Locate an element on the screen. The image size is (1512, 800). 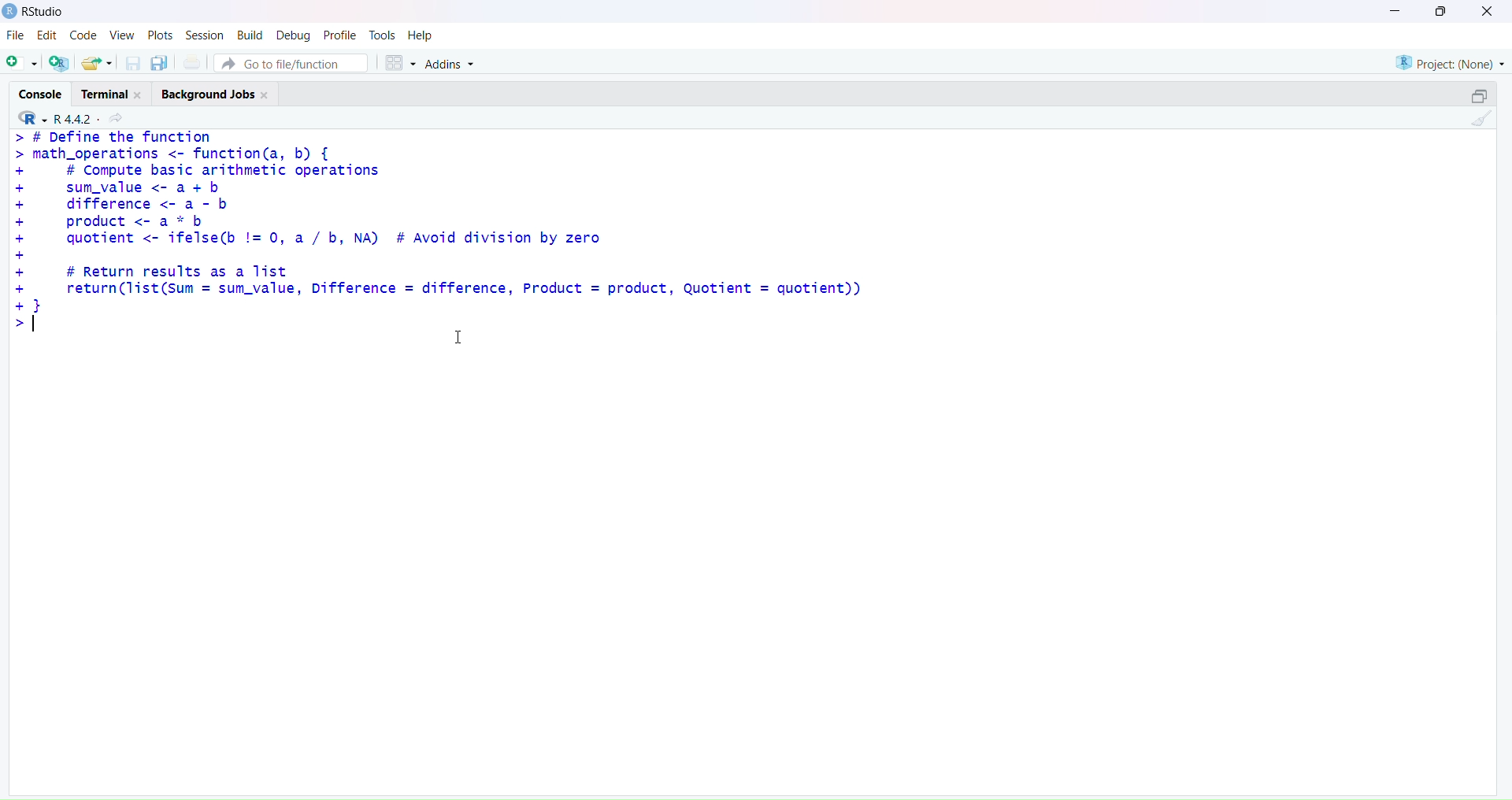
Workspace panes is located at coordinates (398, 62).